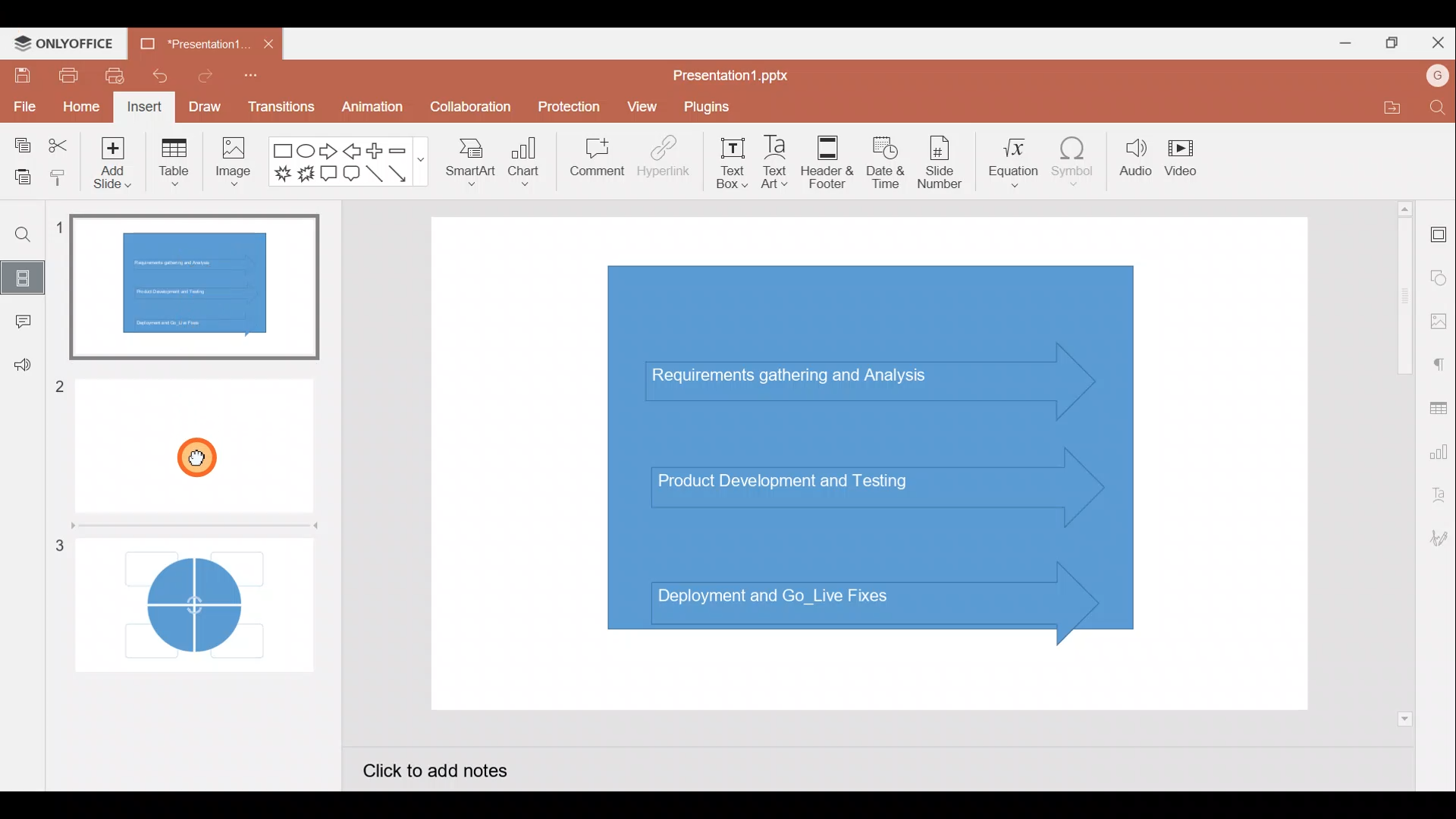 The image size is (1456, 819). Describe the element at coordinates (328, 173) in the screenshot. I see `Rectangular callout` at that location.